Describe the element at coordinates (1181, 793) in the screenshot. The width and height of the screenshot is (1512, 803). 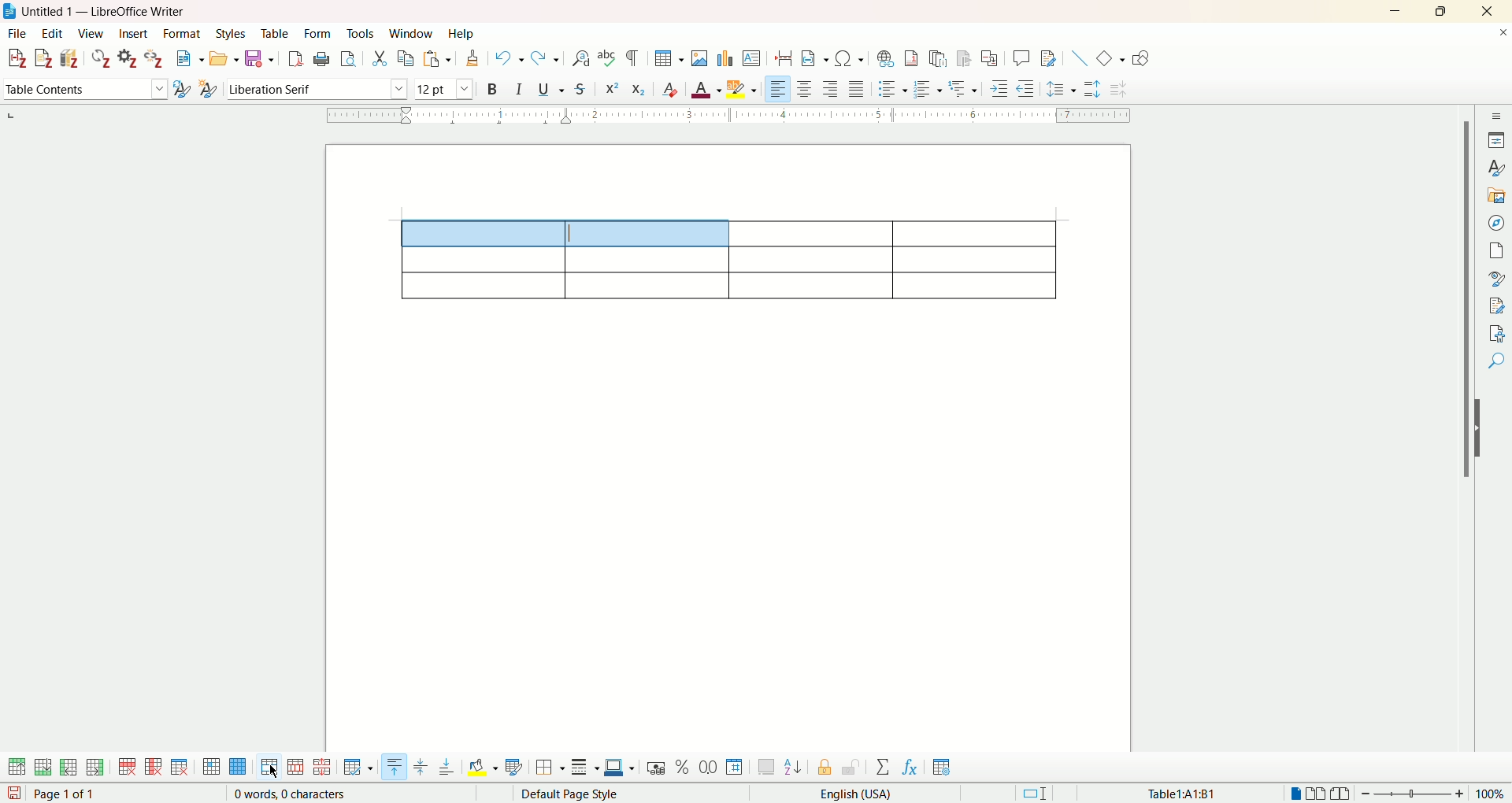
I see `Table1:A1:B1` at that location.